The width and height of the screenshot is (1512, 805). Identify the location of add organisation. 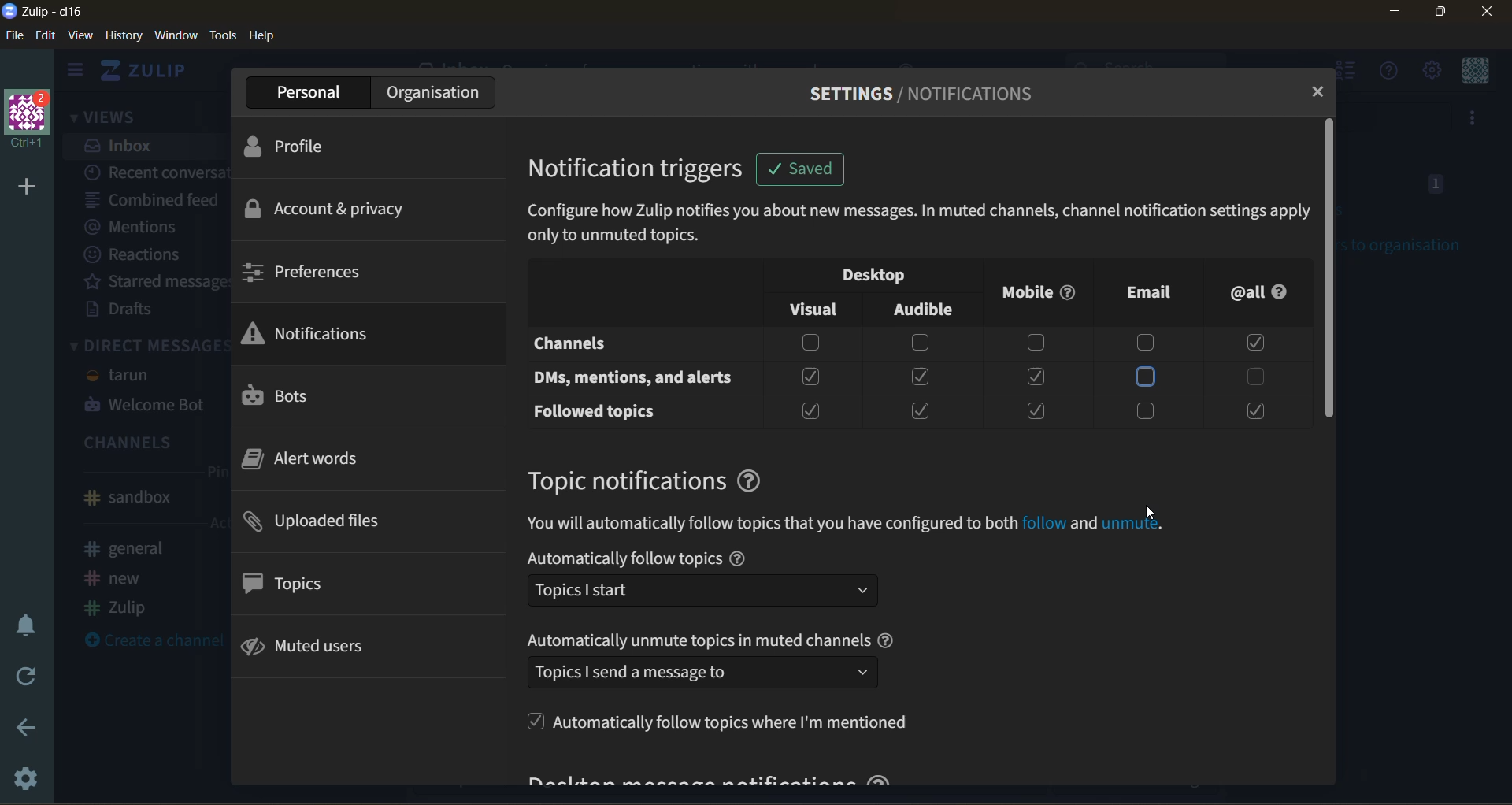
(24, 187).